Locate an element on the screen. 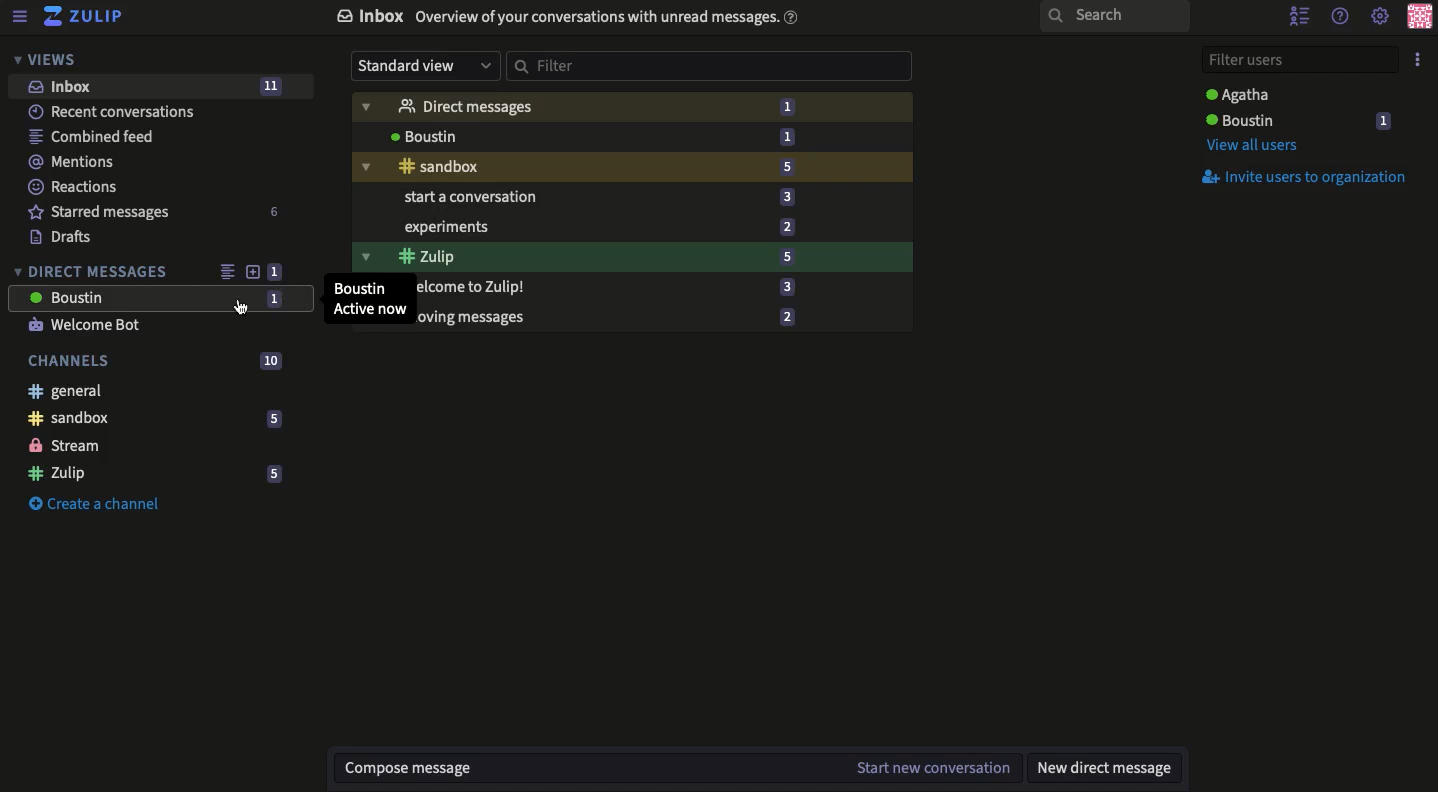 The image size is (1438, 792). Sandbox is located at coordinates (154, 419).